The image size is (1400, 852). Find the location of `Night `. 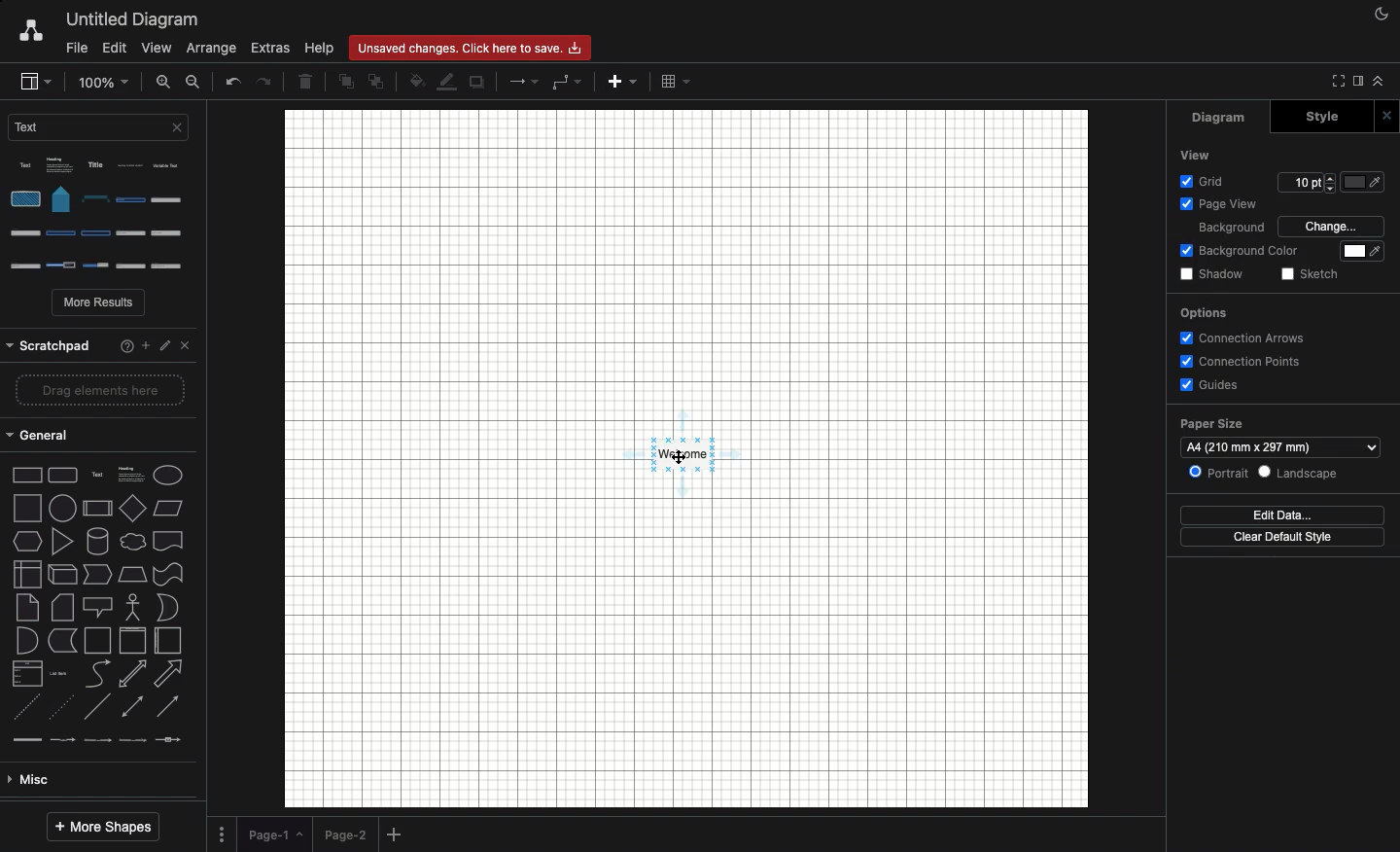

Night  is located at coordinates (1382, 13).